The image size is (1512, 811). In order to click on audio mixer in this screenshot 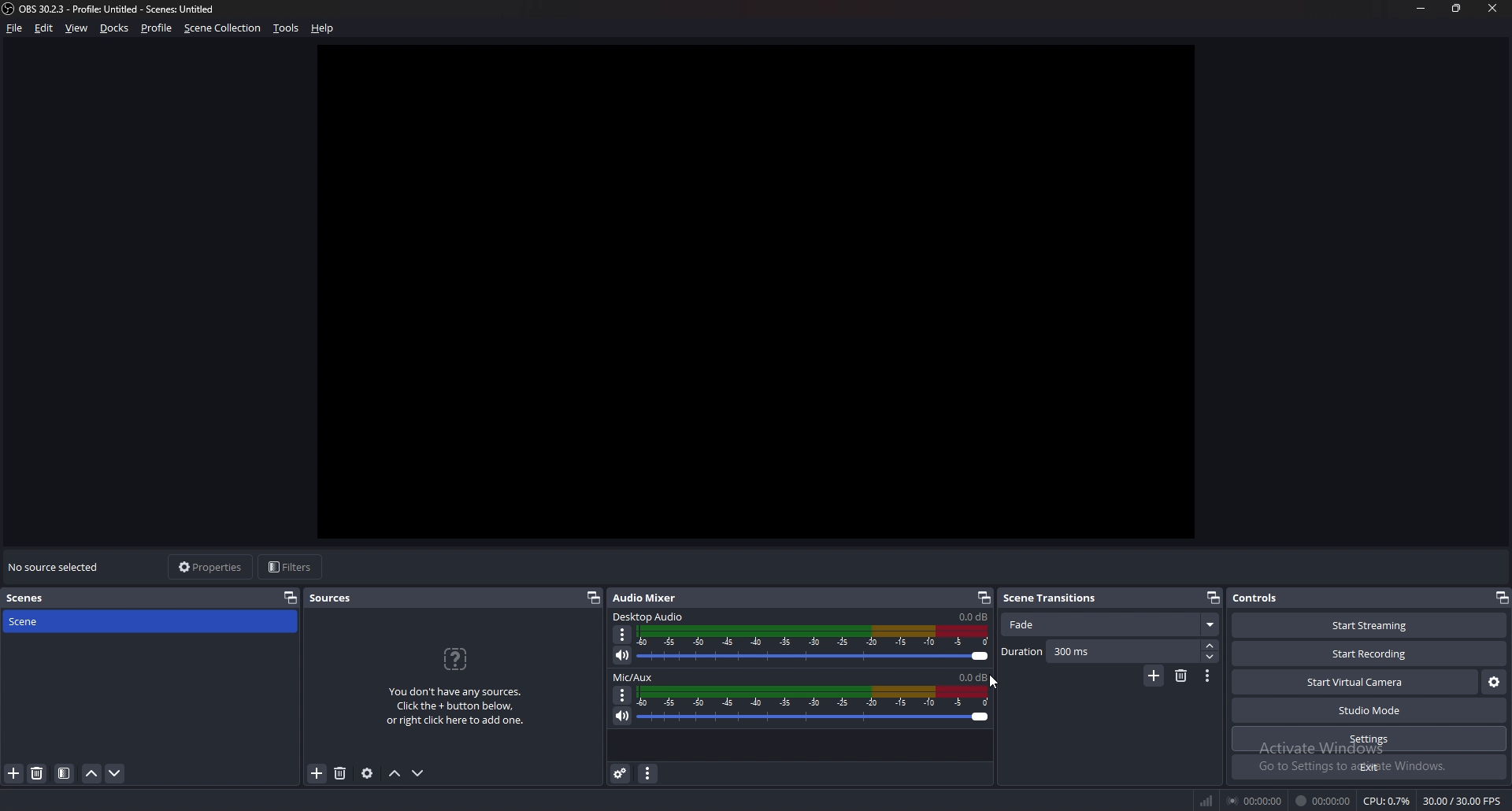, I will do `click(649, 597)`.